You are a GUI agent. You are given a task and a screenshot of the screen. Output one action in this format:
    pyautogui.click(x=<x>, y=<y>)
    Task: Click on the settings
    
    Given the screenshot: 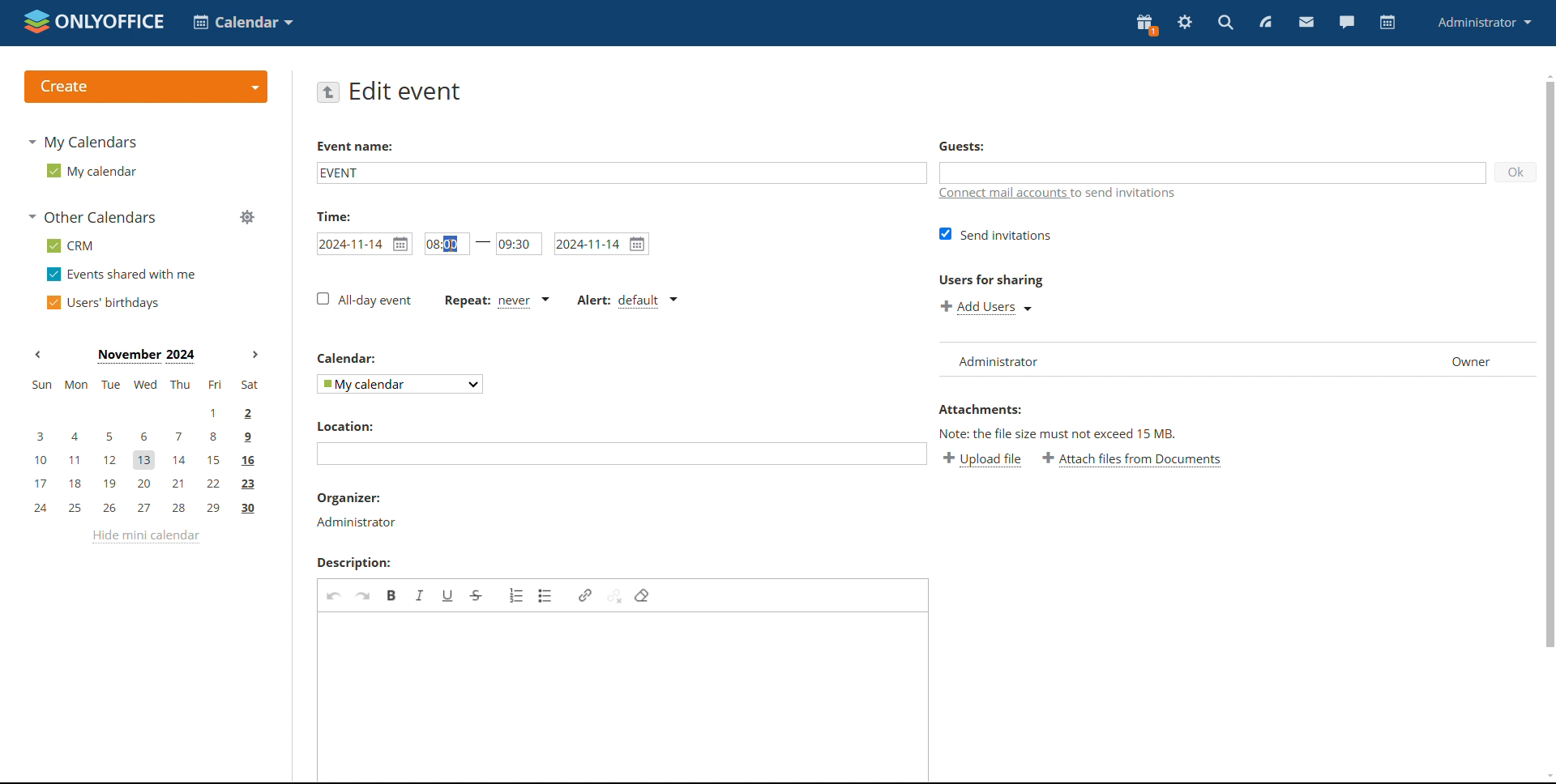 What is the action you would take?
    pyautogui.click(x=1185, y=24)
    